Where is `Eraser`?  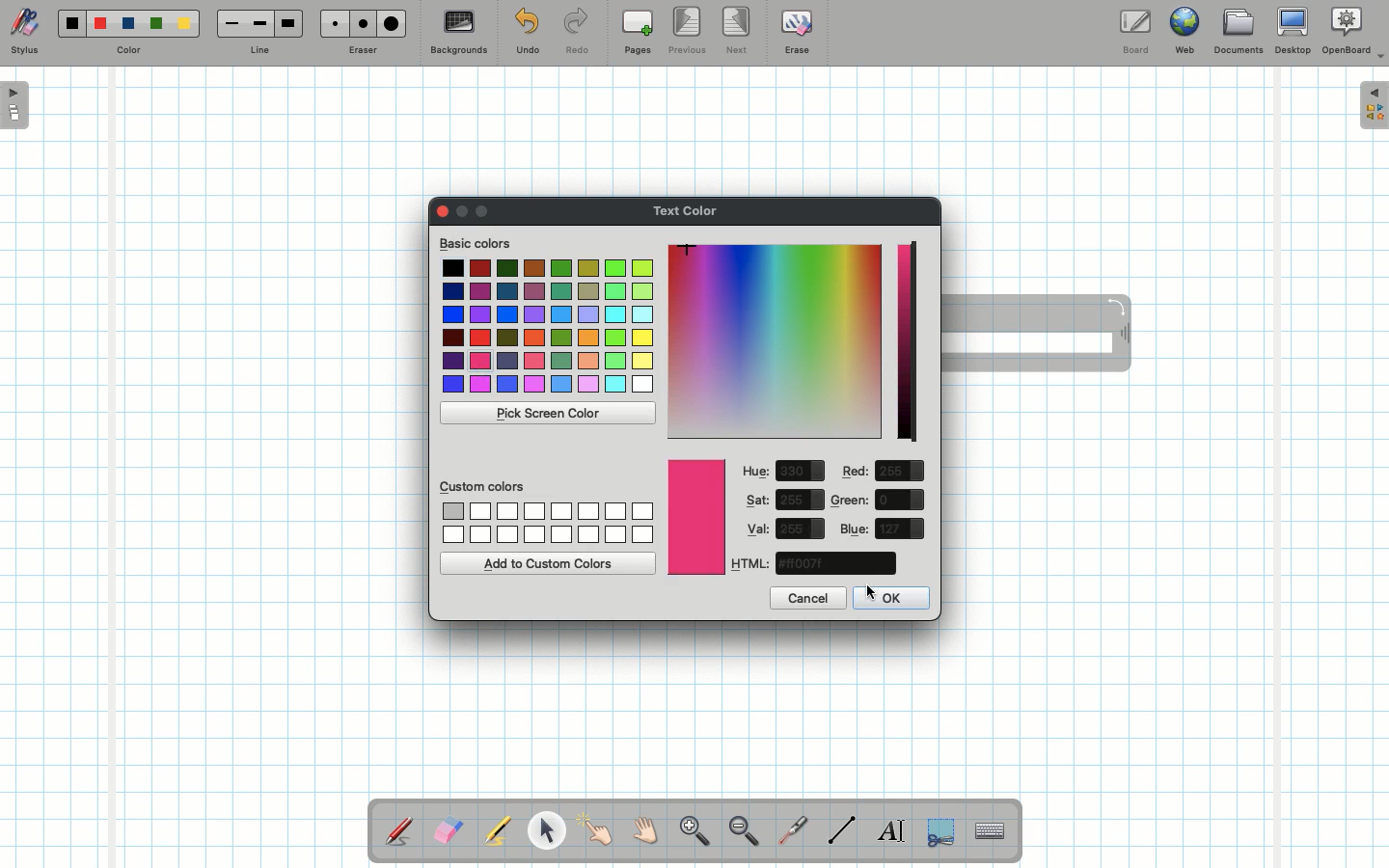
Eraser is located at coordinates (362, 52).